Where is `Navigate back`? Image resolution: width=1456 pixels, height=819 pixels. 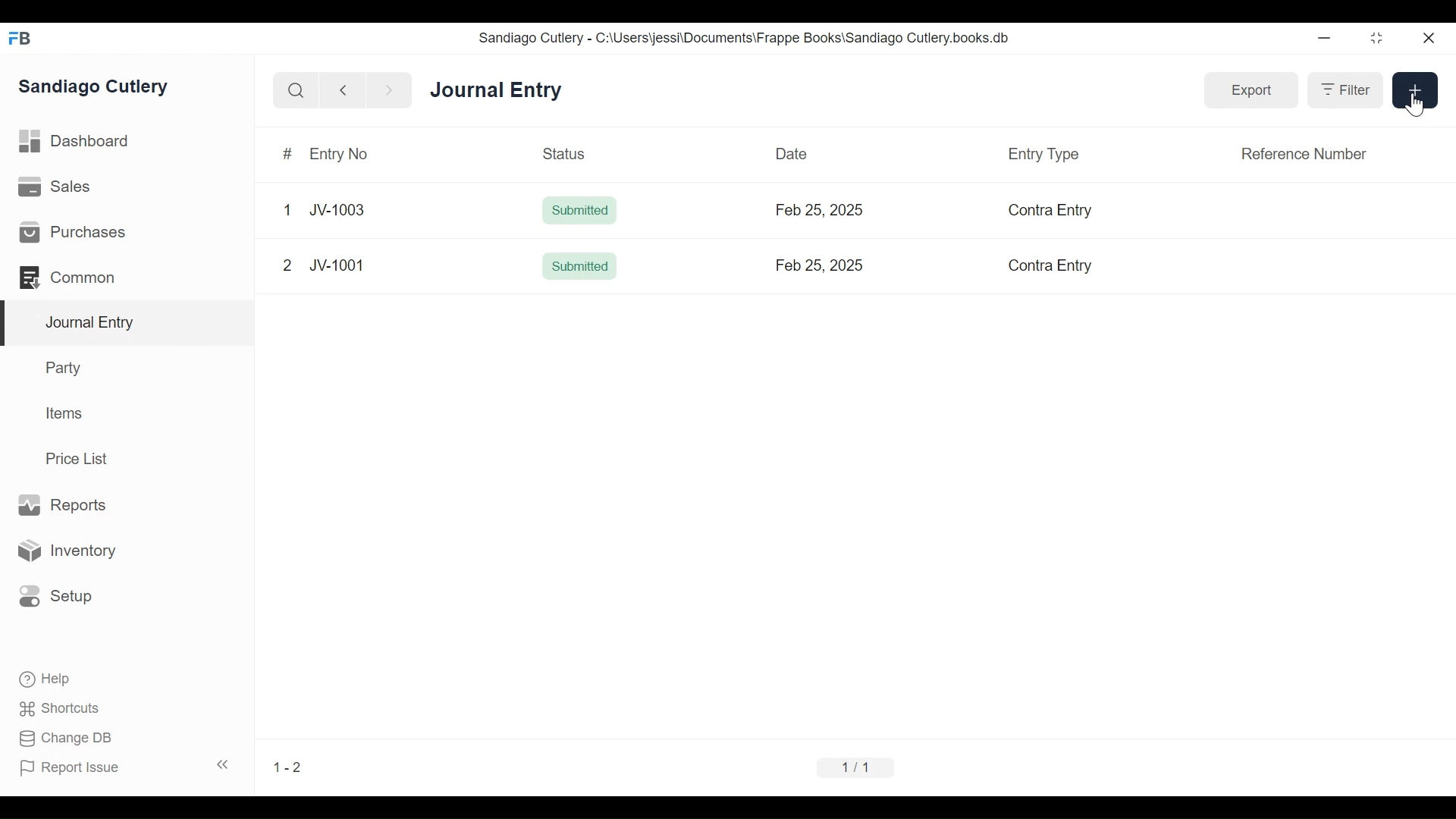 Navigate back is located at coordinates (341, 91).